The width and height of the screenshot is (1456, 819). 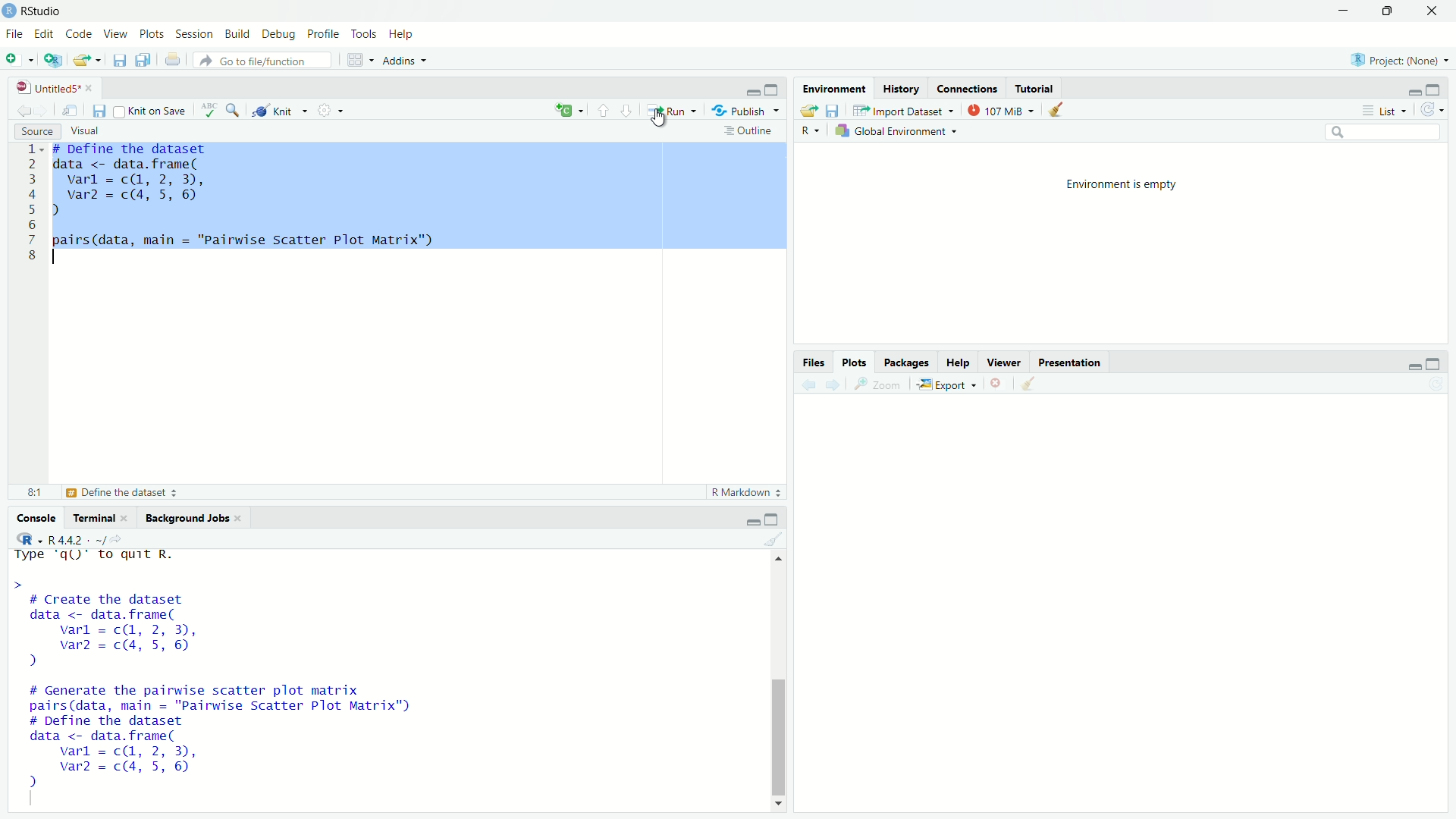 I want to click on # DeTine the dataset
data <- data.frame(
varl = c(1, 2, 3),
var = c(4, 5, 6)
)
pairs(data, main = "Pairwise Scatter Plot Matrix"), so click(x=421, y=198).